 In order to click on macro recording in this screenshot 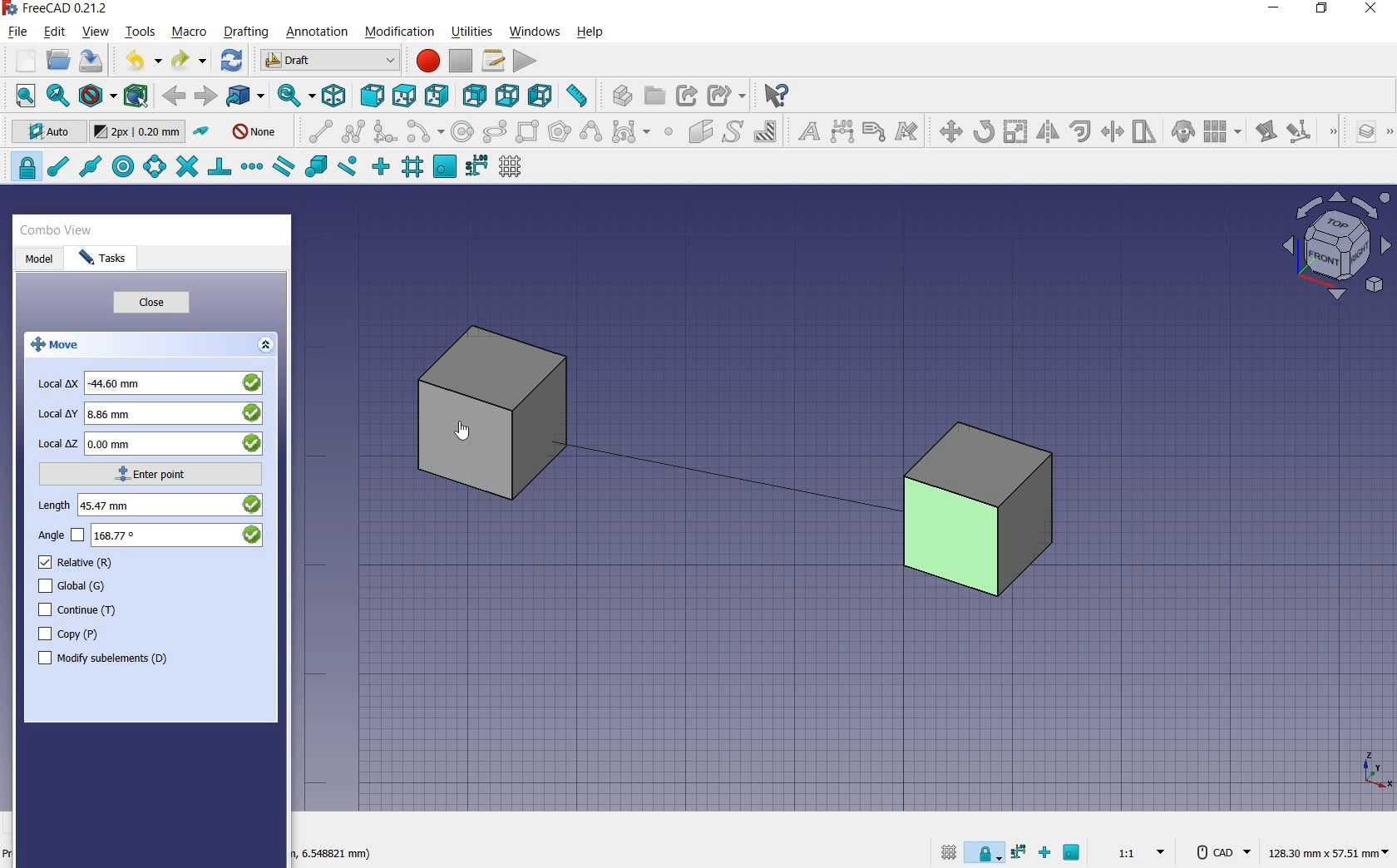, I will do `click(427, 62)`.